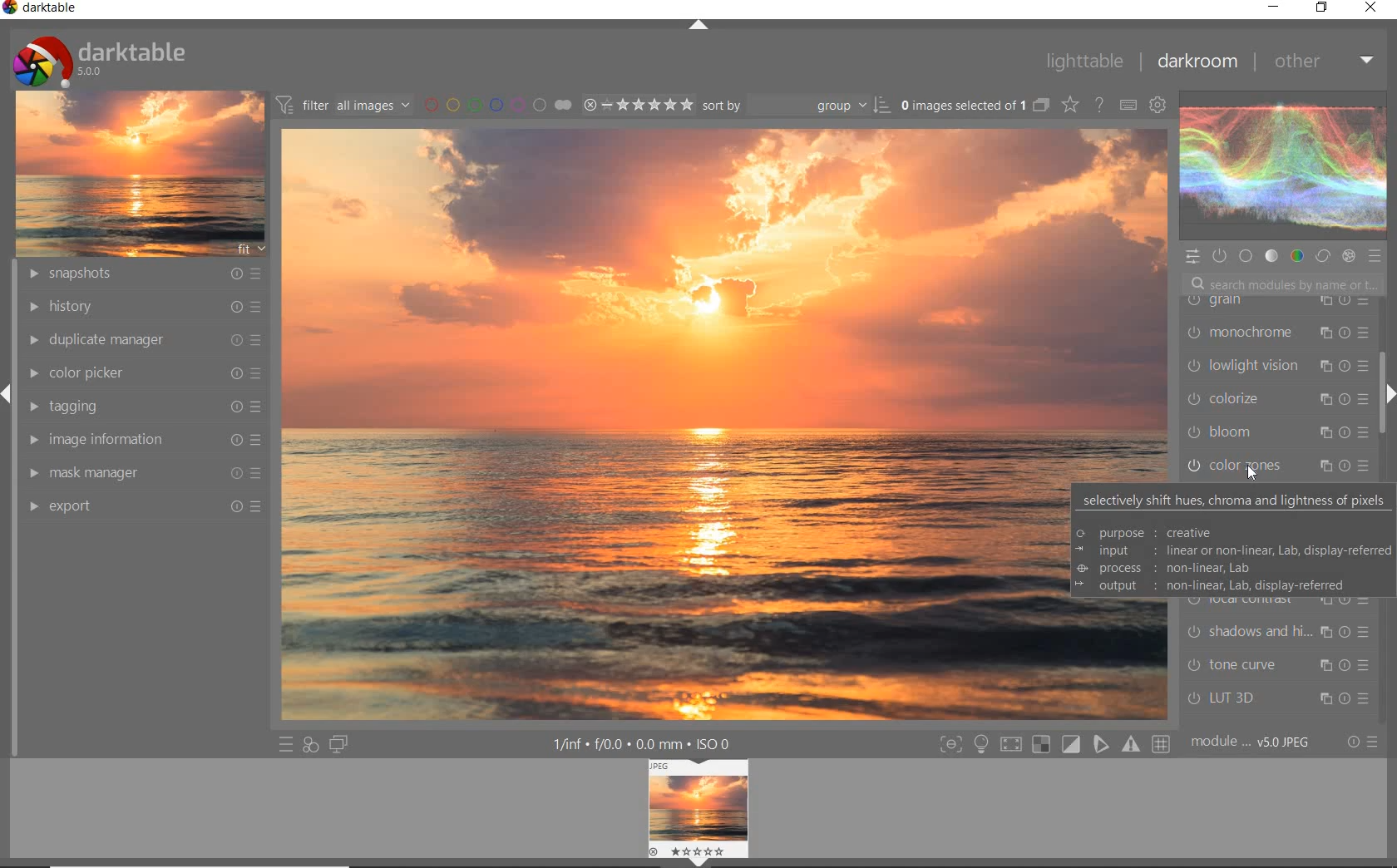 This screenshot has height=868, width=1397. What do you see at coordinates (1276, 365) in the screenshot?
I see `lowlight vision` at bounding box center [1276, 365].